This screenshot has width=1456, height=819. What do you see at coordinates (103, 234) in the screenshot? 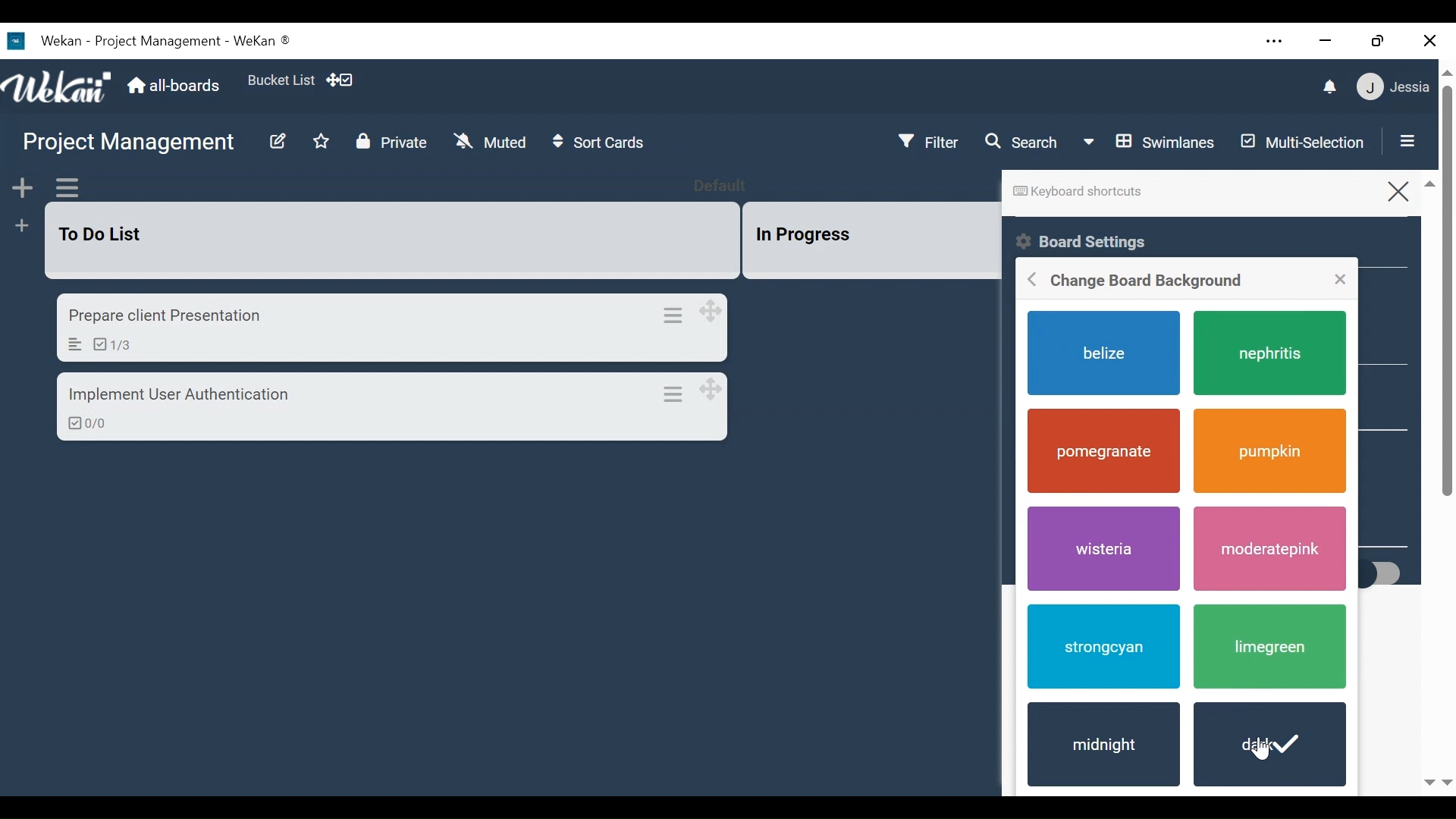
I see `List Name` at bounding box center [103, 234].